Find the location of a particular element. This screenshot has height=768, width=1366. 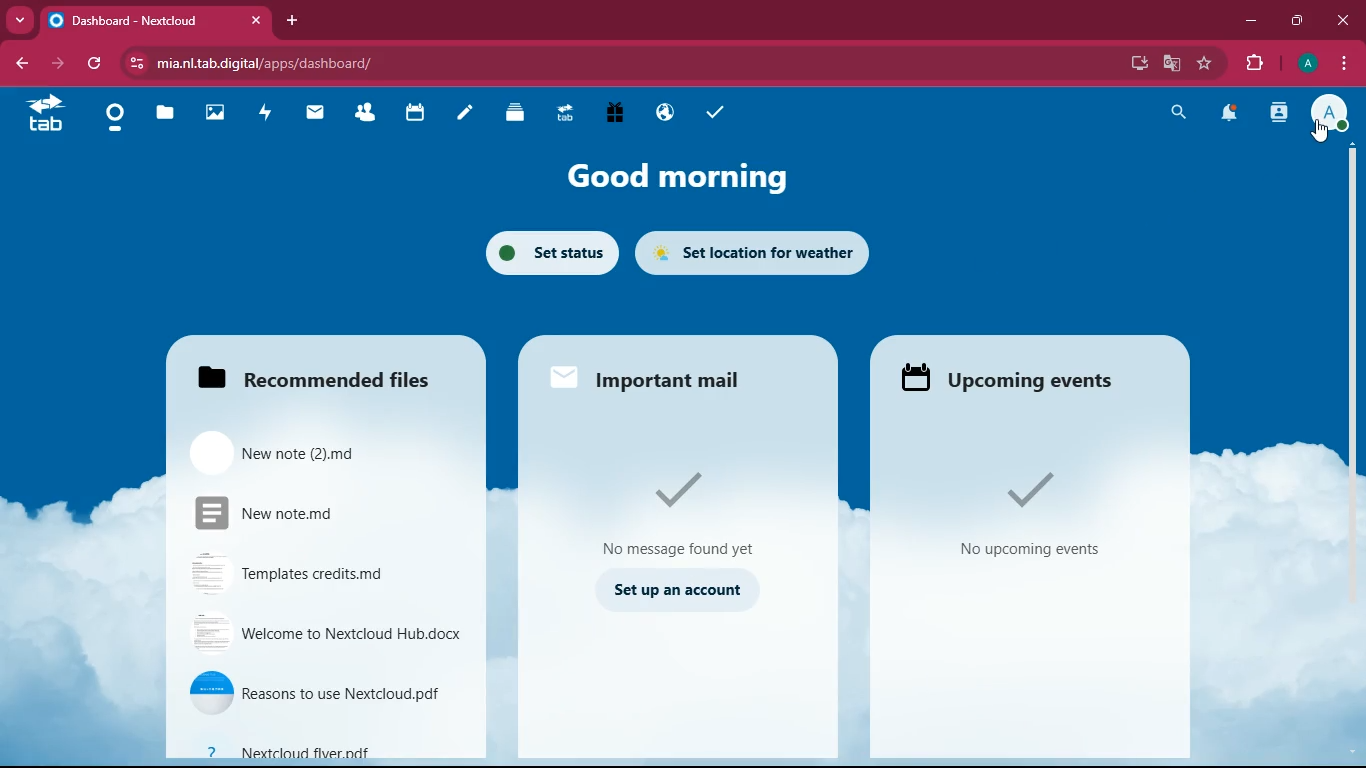

favourite is located at coordinates (1205, 63).